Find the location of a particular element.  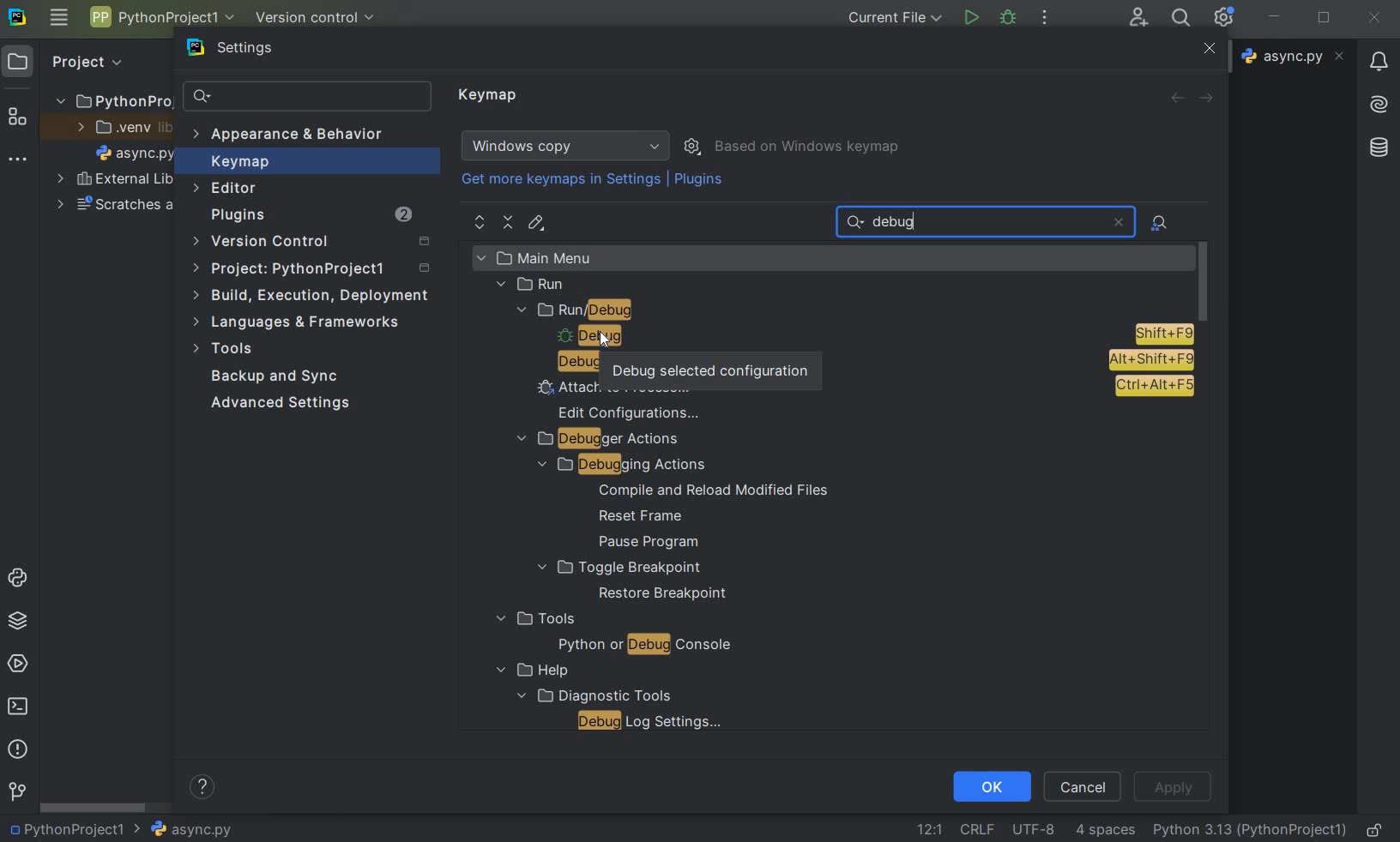

edit configurations is located at coordinates (631, 412).